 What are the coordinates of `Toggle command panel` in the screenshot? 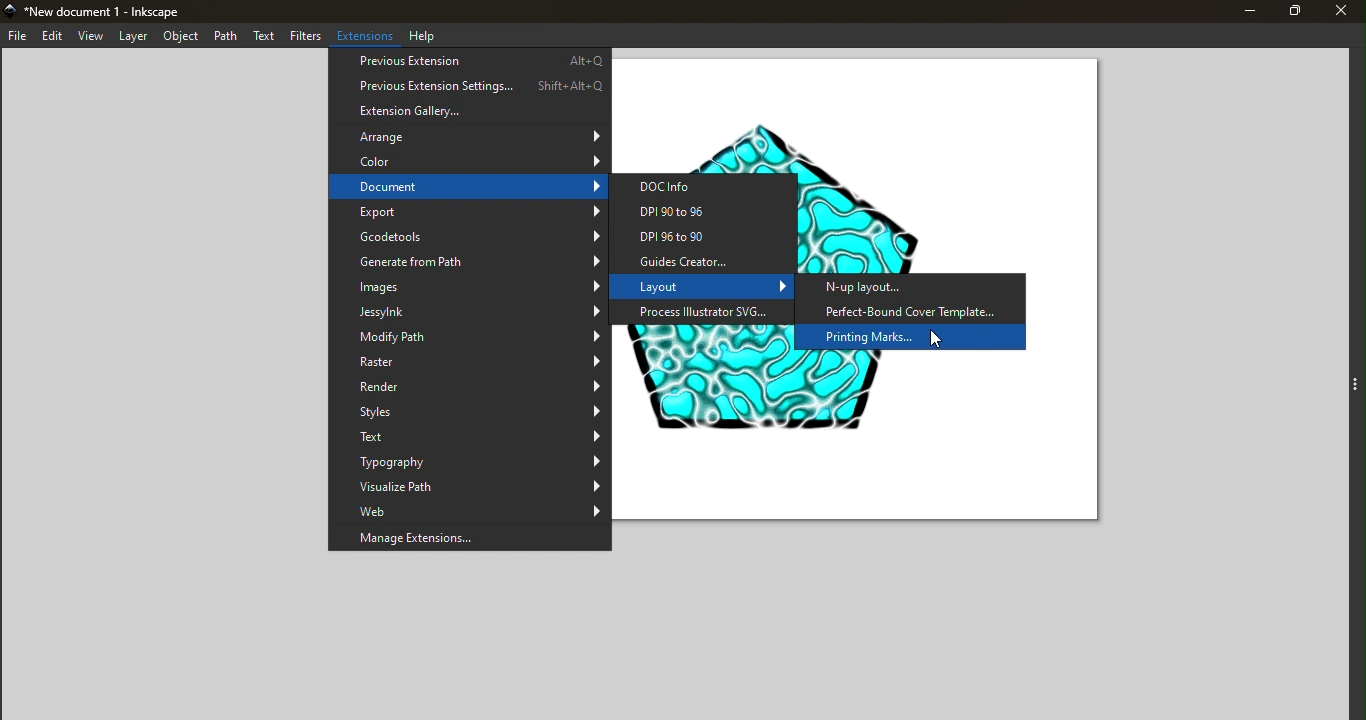 It's located at (1356, 375).